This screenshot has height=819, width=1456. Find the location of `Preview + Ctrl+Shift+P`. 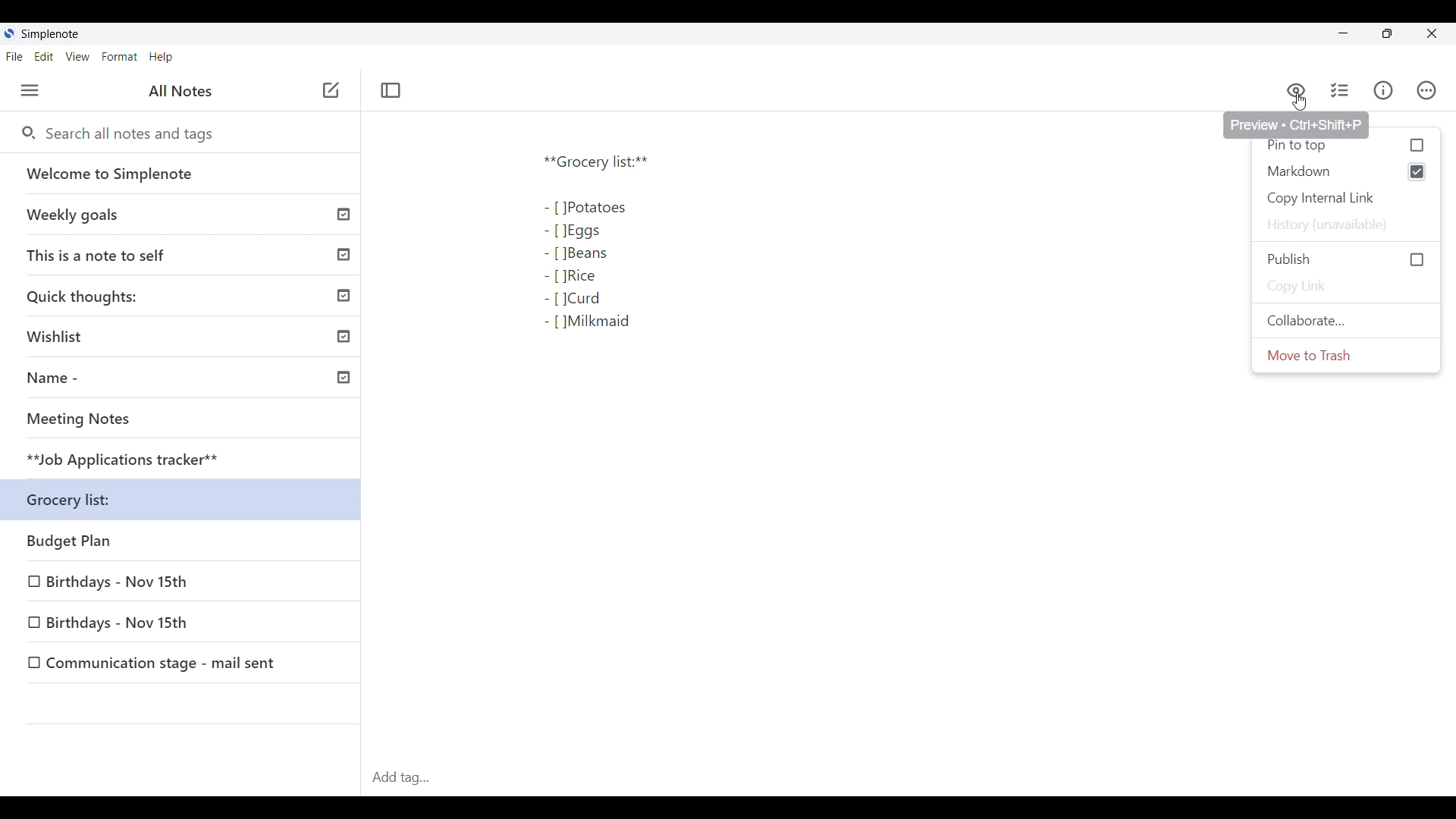

Preview + Ctrl+Shift+P is located at coordinates (1296, 124).